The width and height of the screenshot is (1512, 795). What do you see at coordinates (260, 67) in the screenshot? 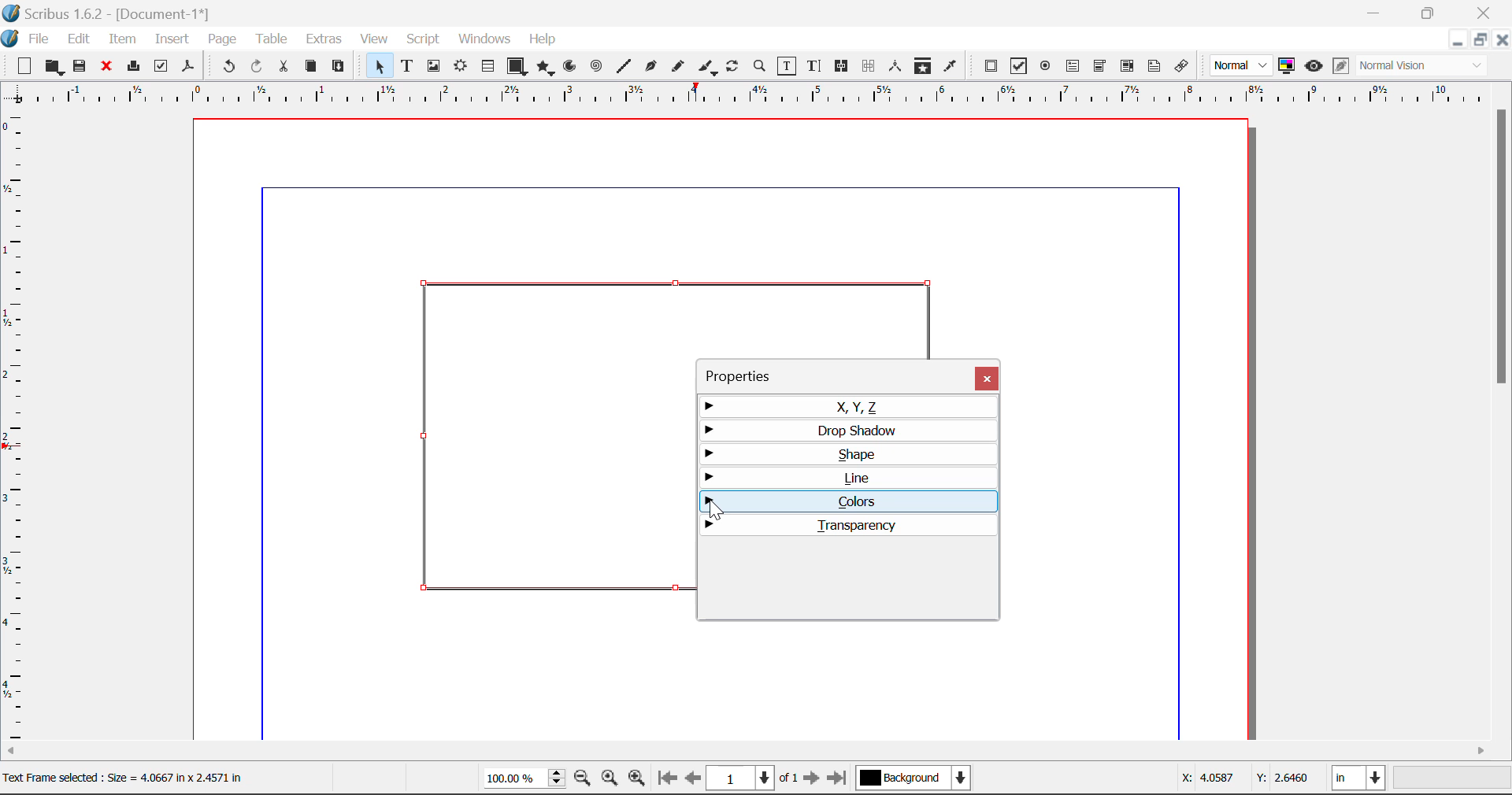
I see `Redo` at bounding box center [260, 67].